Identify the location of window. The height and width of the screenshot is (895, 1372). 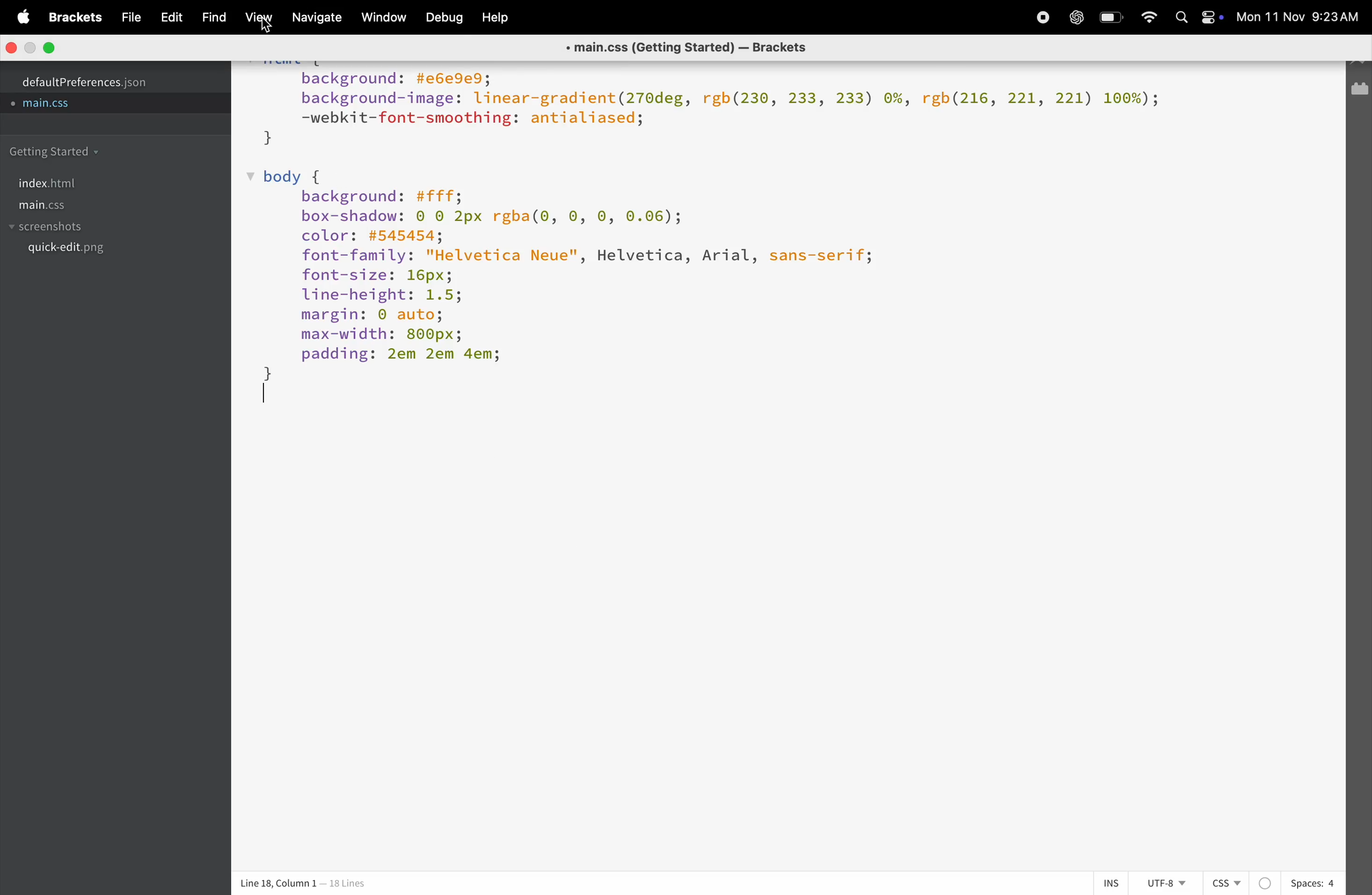
(382, 18).